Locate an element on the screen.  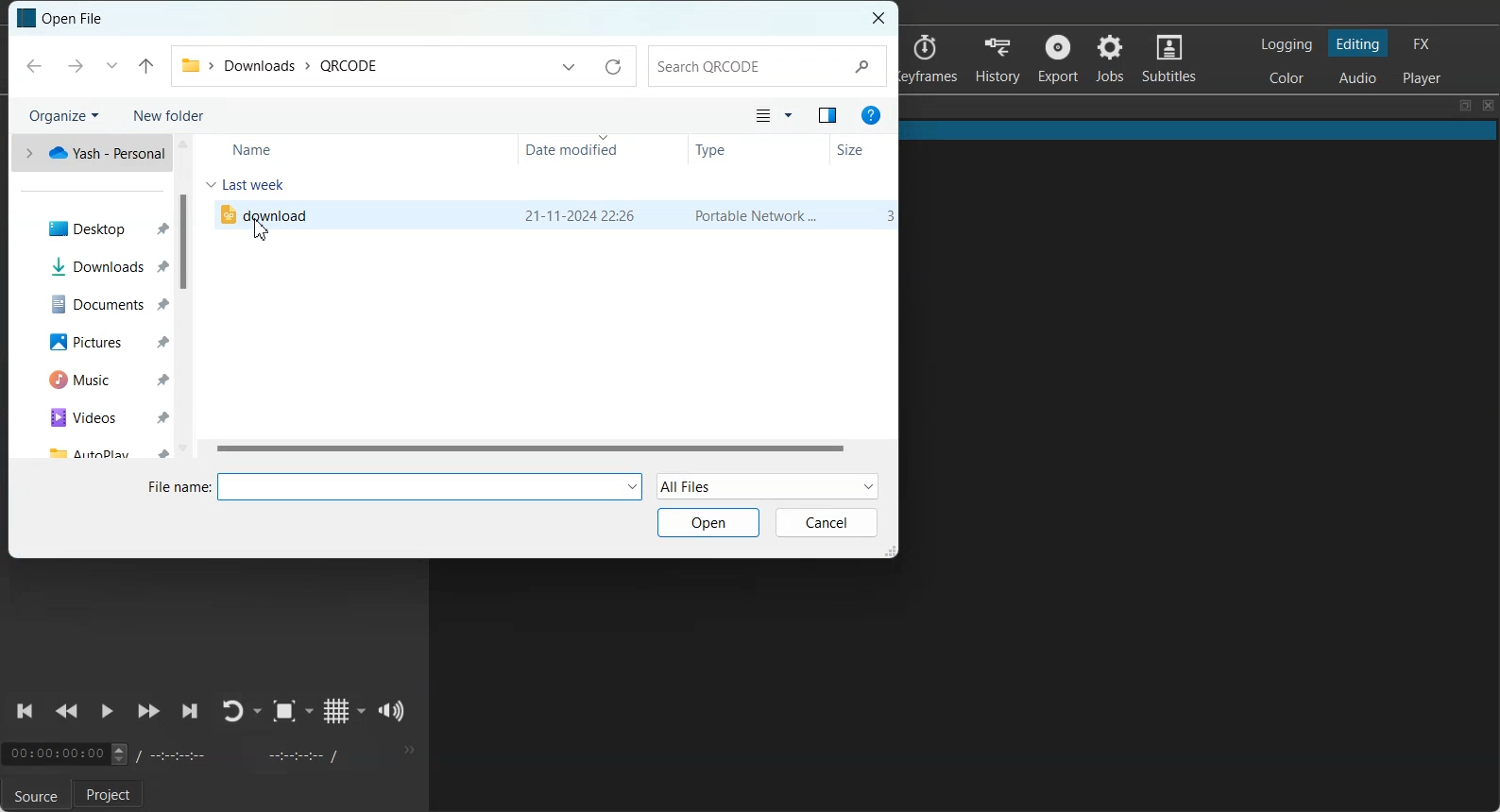
Text is located at coordinates (86, 19).